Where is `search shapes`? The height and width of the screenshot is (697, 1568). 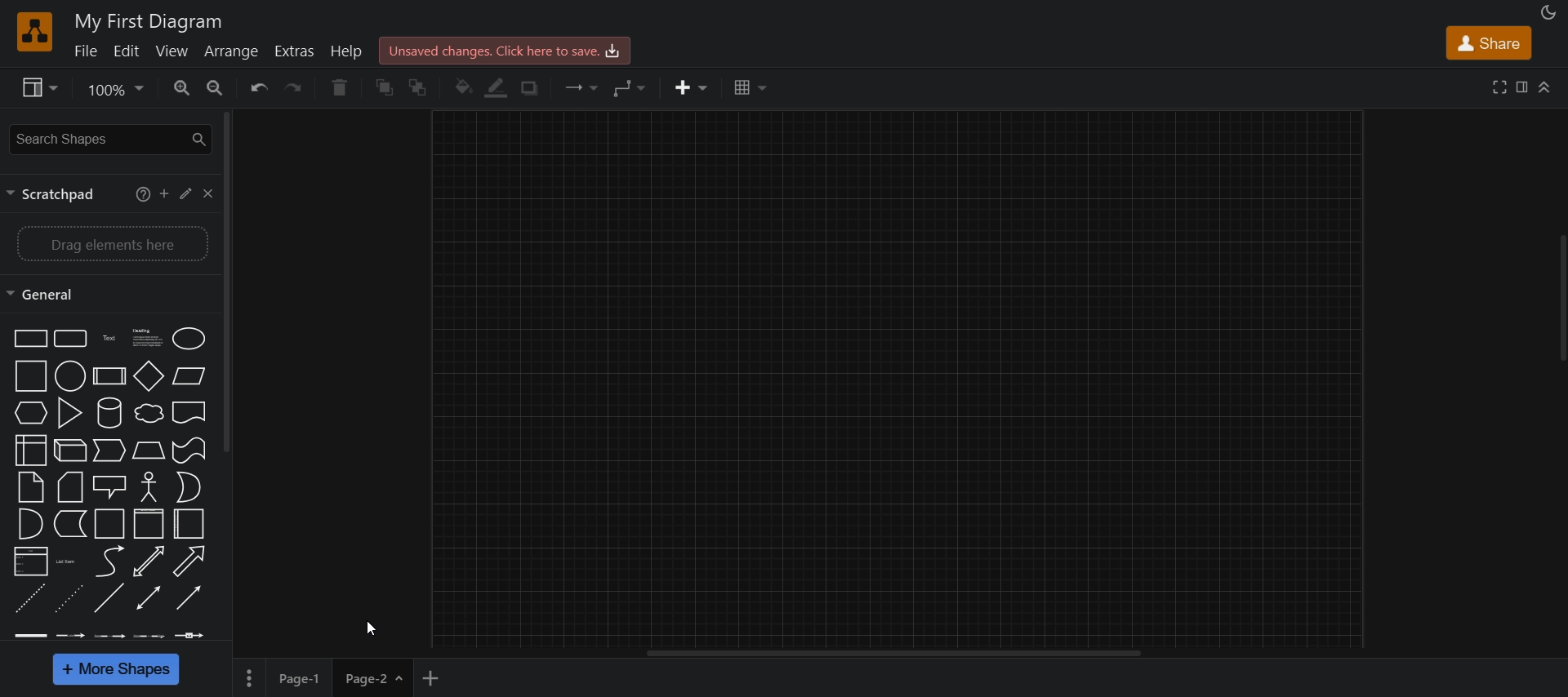 search shapes is located at coordinates (110, 135).